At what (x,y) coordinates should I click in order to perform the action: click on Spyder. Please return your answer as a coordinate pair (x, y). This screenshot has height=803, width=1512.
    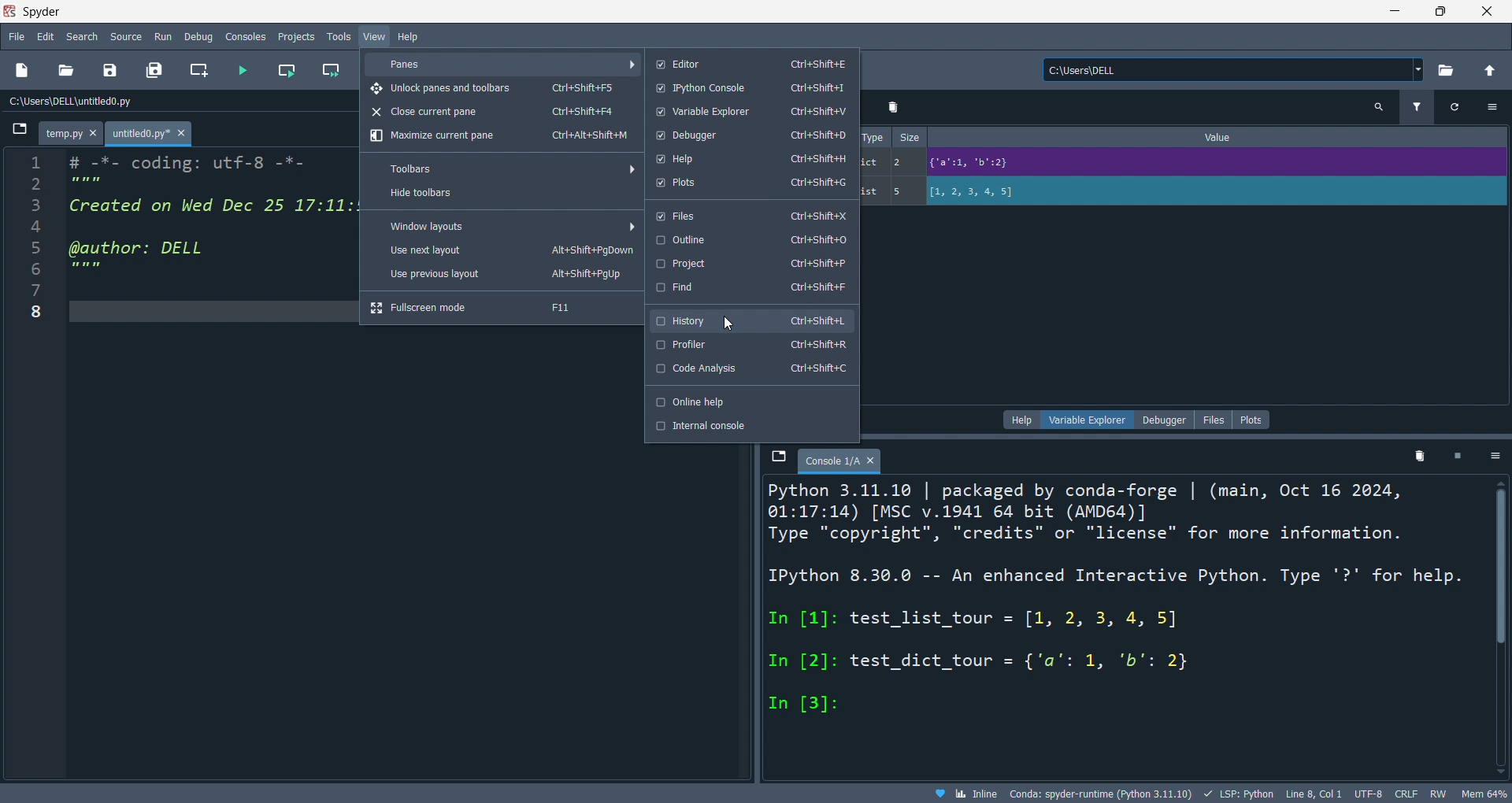
    Looking at the image, I should click on (682, 12).